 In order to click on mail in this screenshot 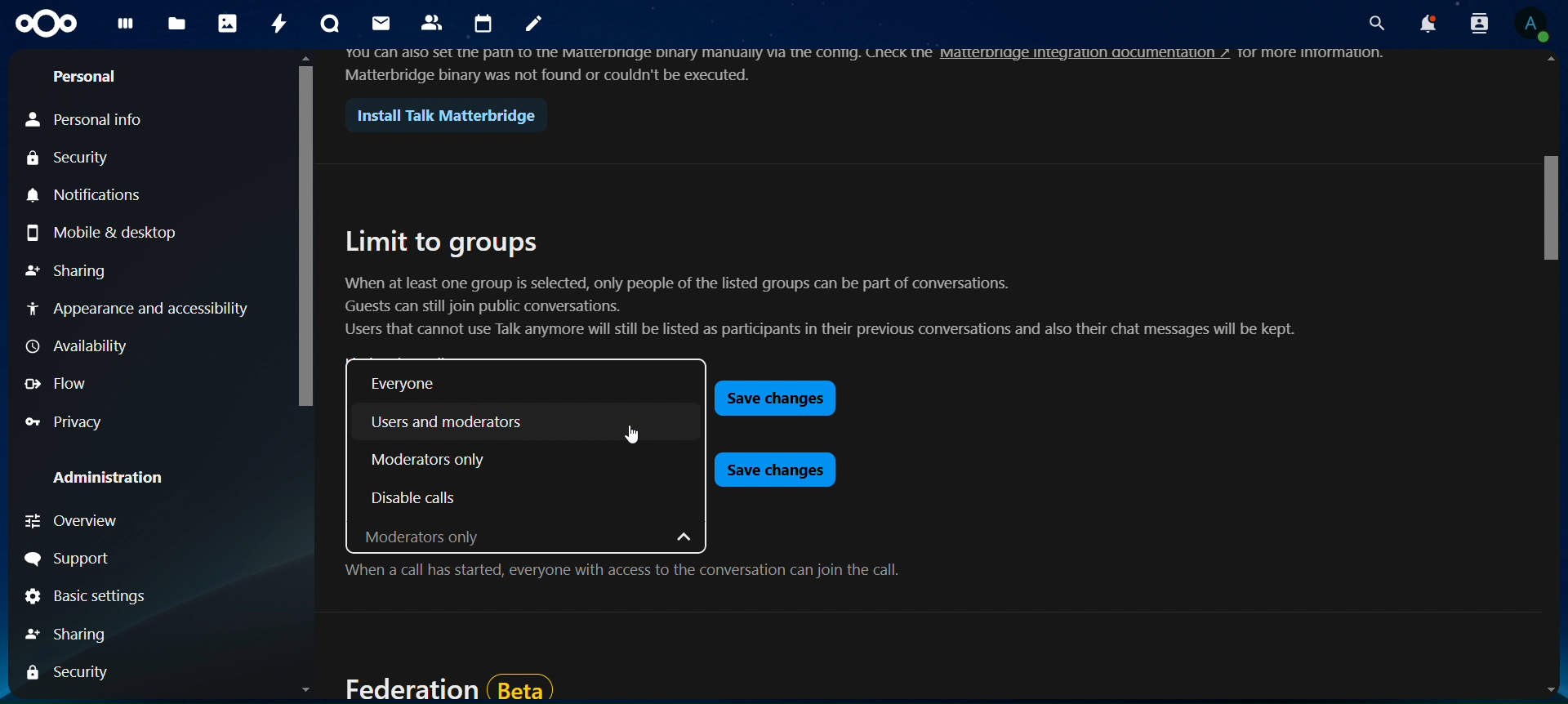, I will do `click(378, 23)`.